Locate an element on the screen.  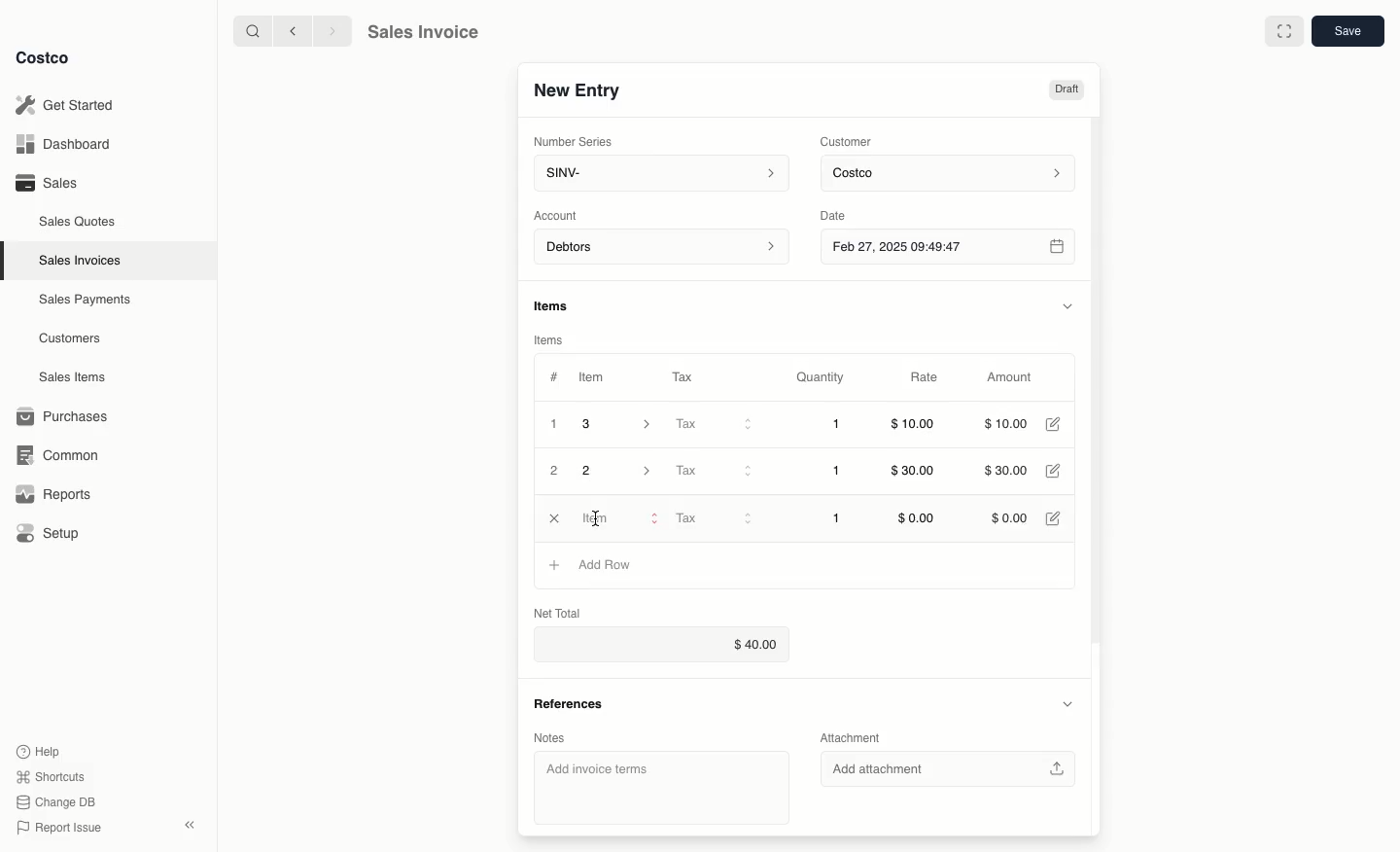
Amount is located at coordinates (1007, 378).